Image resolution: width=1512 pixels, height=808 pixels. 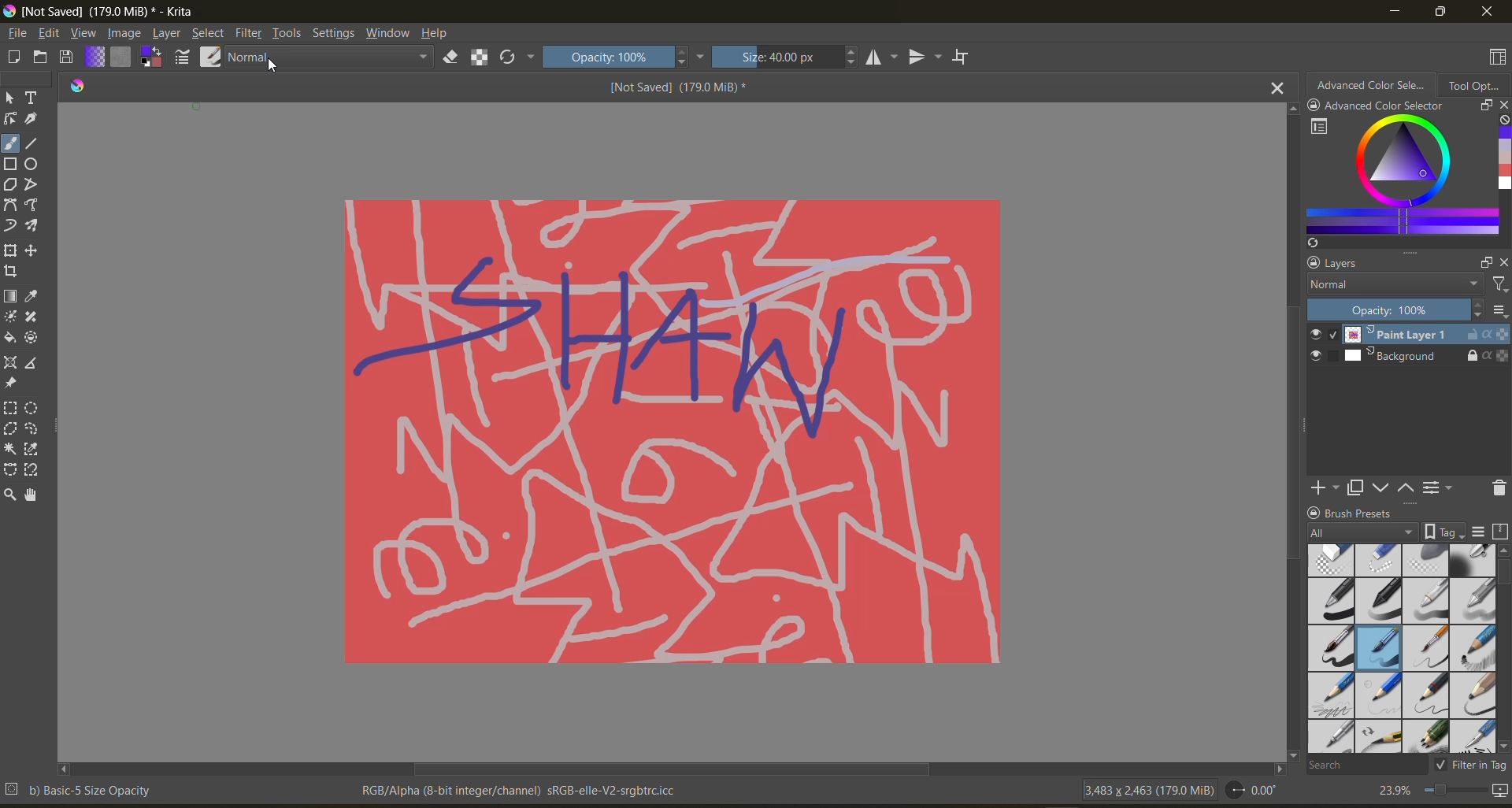 What do you see at coordinates (1497, 57) in the screenshot?
I see `choose workspace` at bounding box center [1497, 57].